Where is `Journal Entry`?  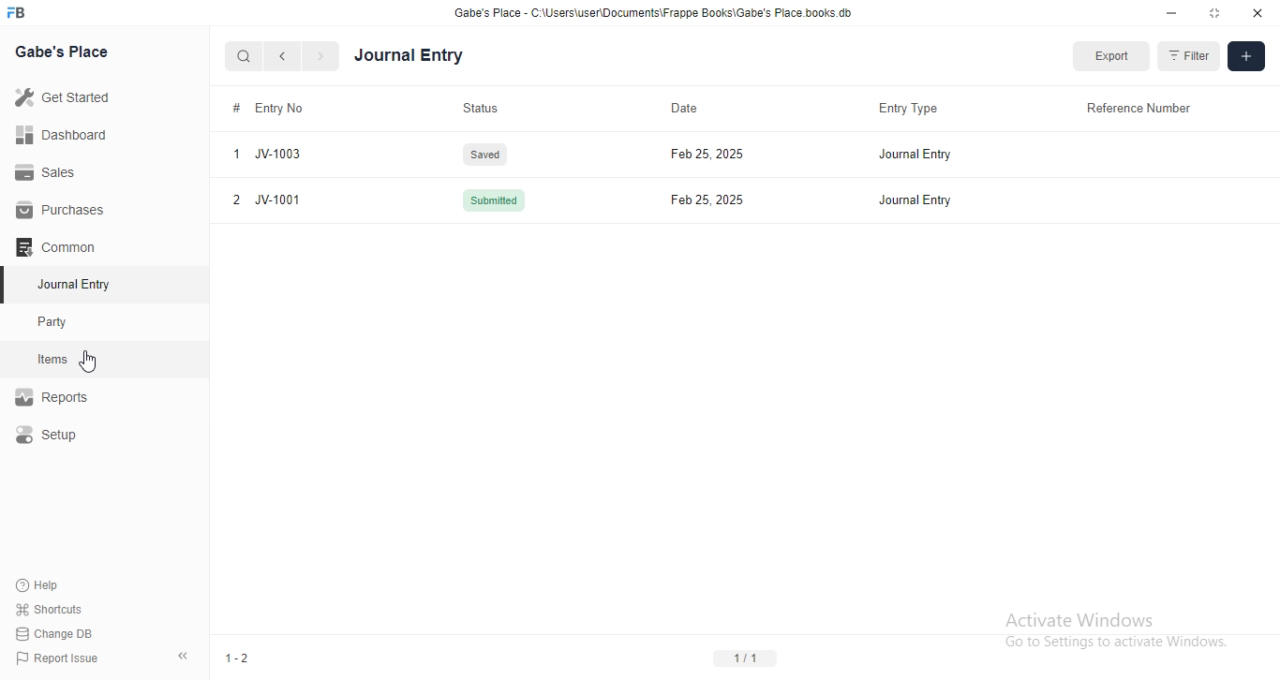
Journal Entry is located at coordinates (918, 154).